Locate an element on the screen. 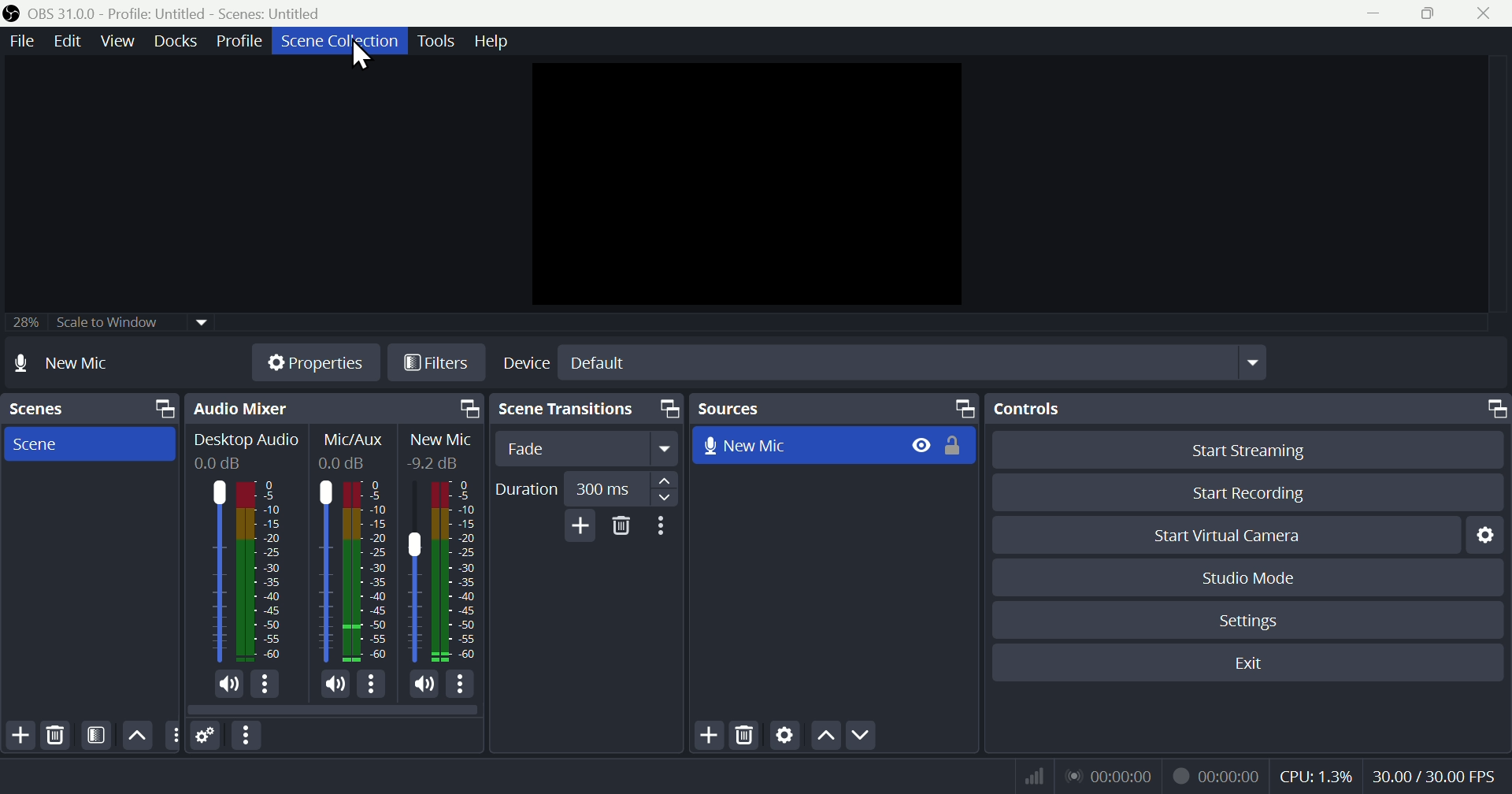 Image resolution: width=1512 pixels, height=794 pixels. OBS 31 .0 .0 profile: untitled scenes: untitled is located at coordinates (209, 12).